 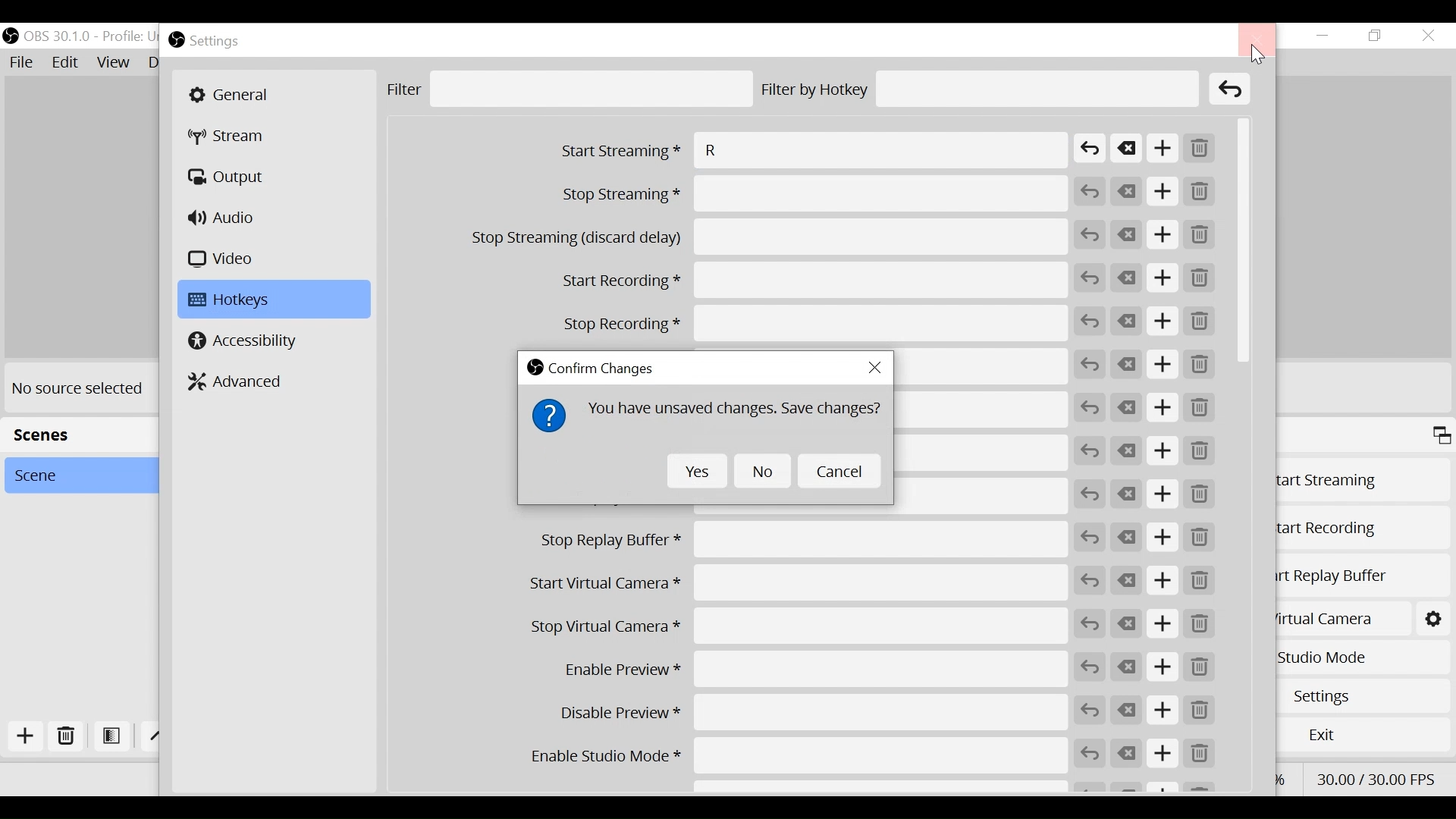 What do you see at coordinates (1367, 733) in the screenshot?
I see `Exit` at bounding box center [1367, 733].